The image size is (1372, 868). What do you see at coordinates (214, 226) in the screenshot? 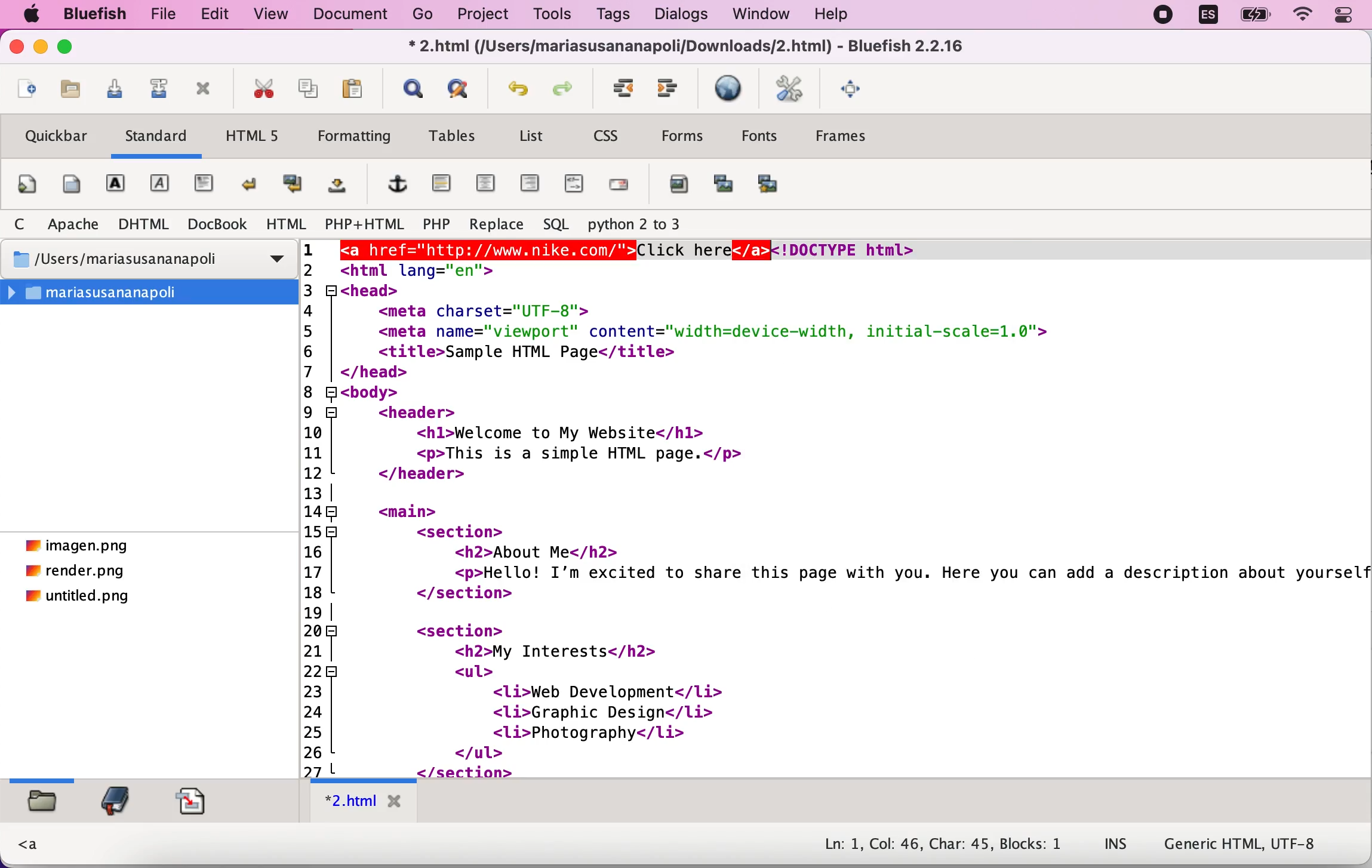
I see `docbook` at bounding box center [214, 226].